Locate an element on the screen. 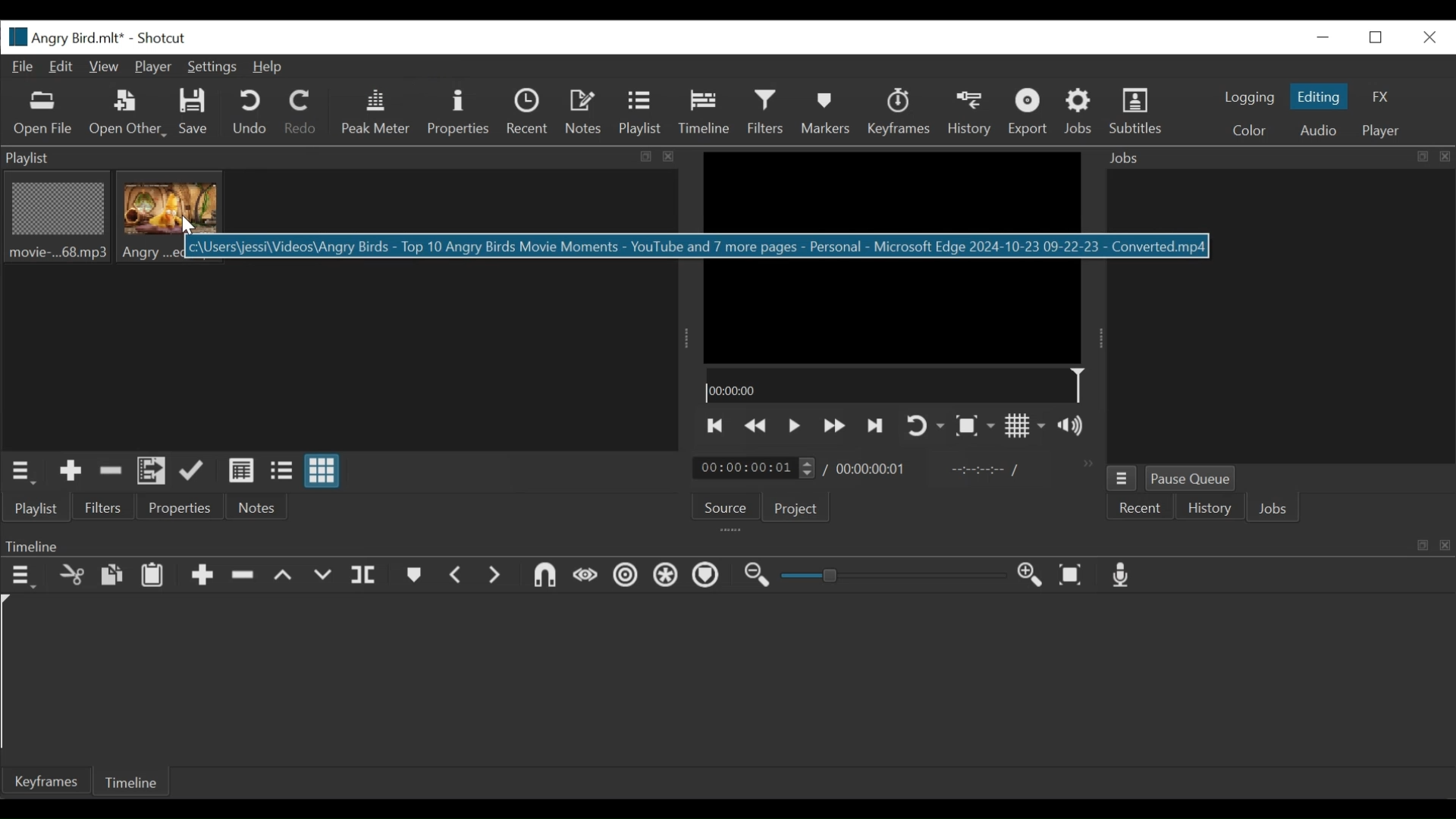 The image size is (1456, 819). Add the Source to the playlist is located at coordinates (71, 473).